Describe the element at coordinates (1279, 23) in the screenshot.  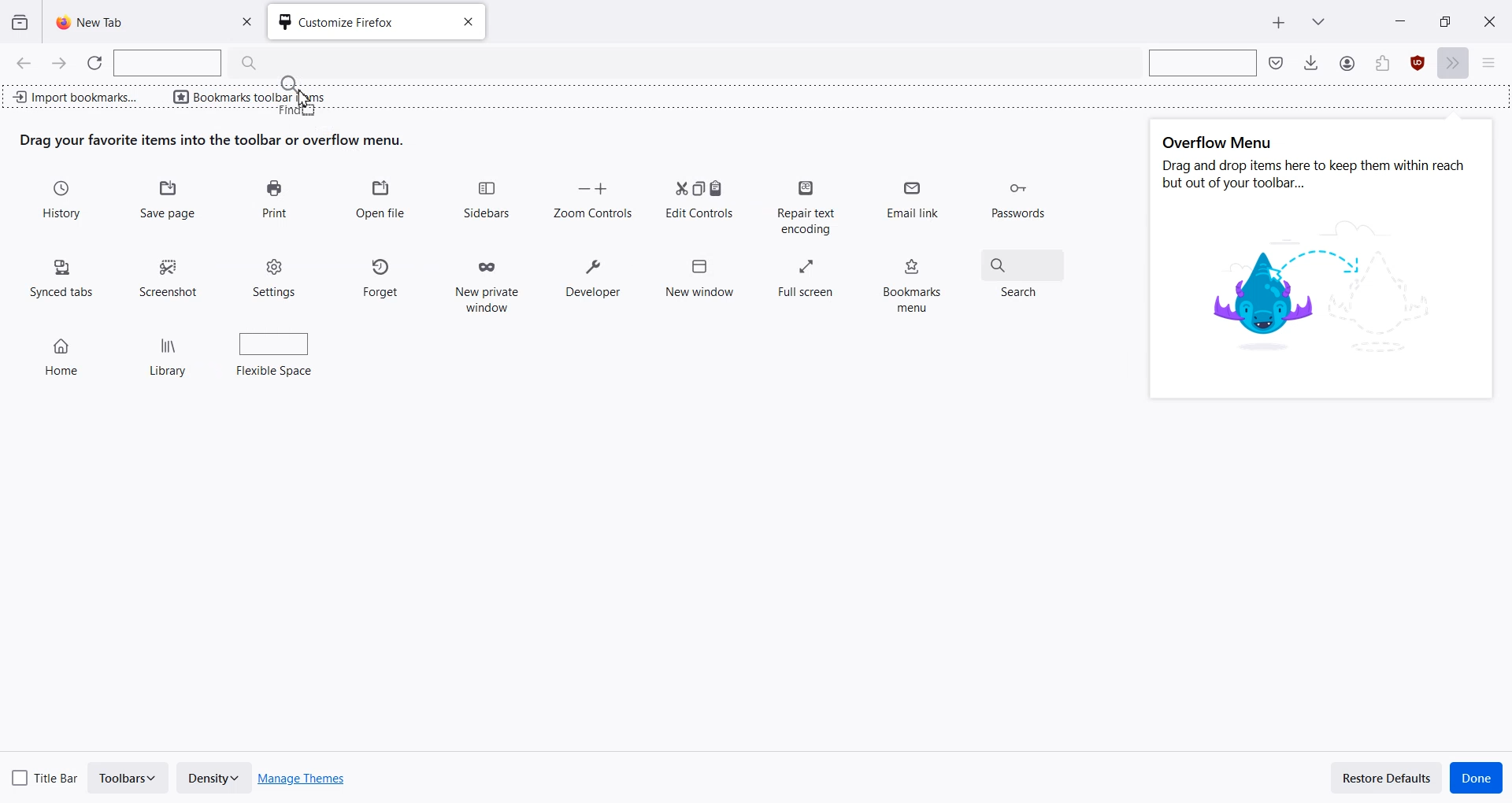
I see `New Tab` at that location.